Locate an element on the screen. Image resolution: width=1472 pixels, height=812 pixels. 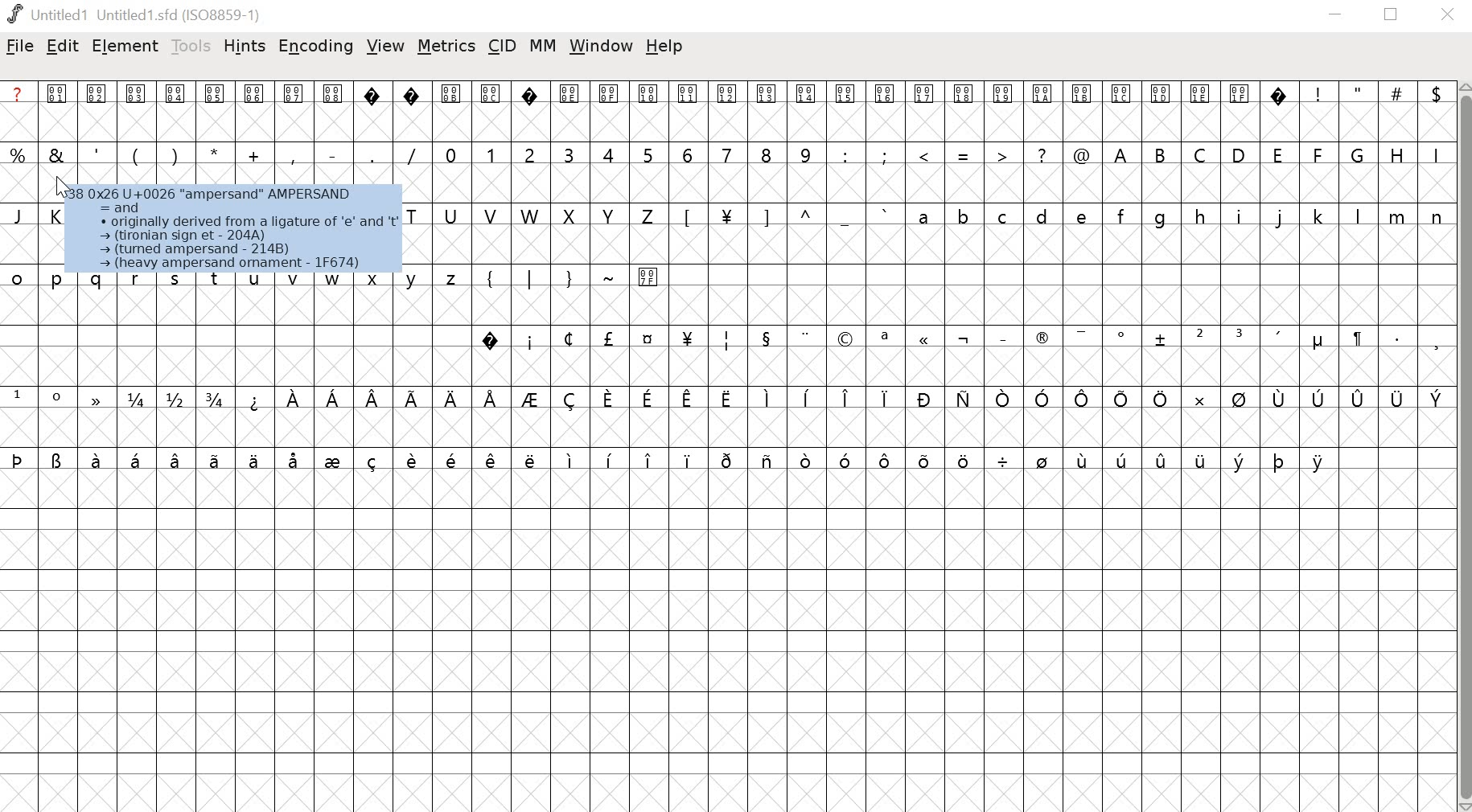
000C is located at coordinates (491, 110).